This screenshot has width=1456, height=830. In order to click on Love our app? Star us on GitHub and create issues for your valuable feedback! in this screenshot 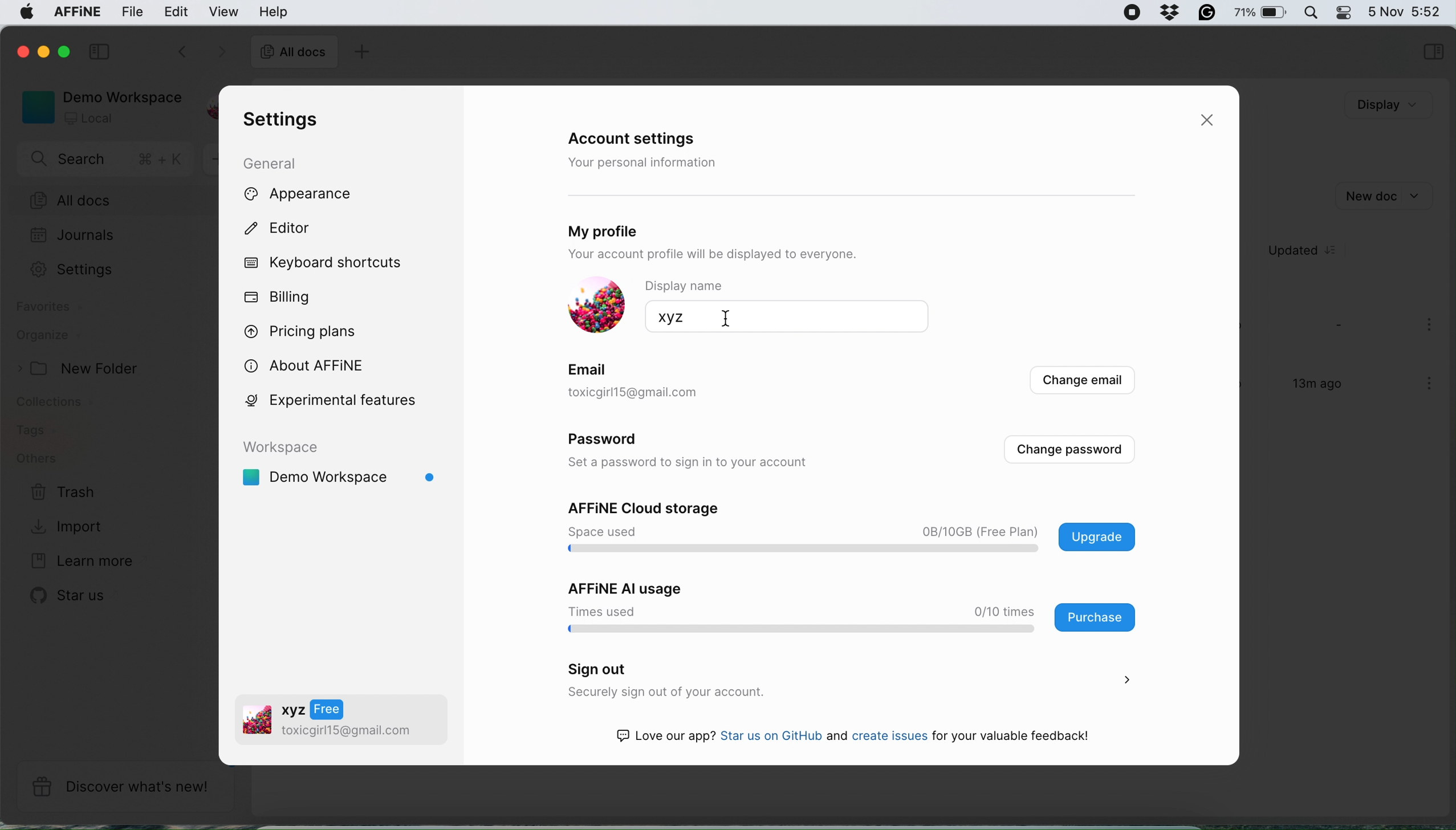, I will do `click(864, 738)`.